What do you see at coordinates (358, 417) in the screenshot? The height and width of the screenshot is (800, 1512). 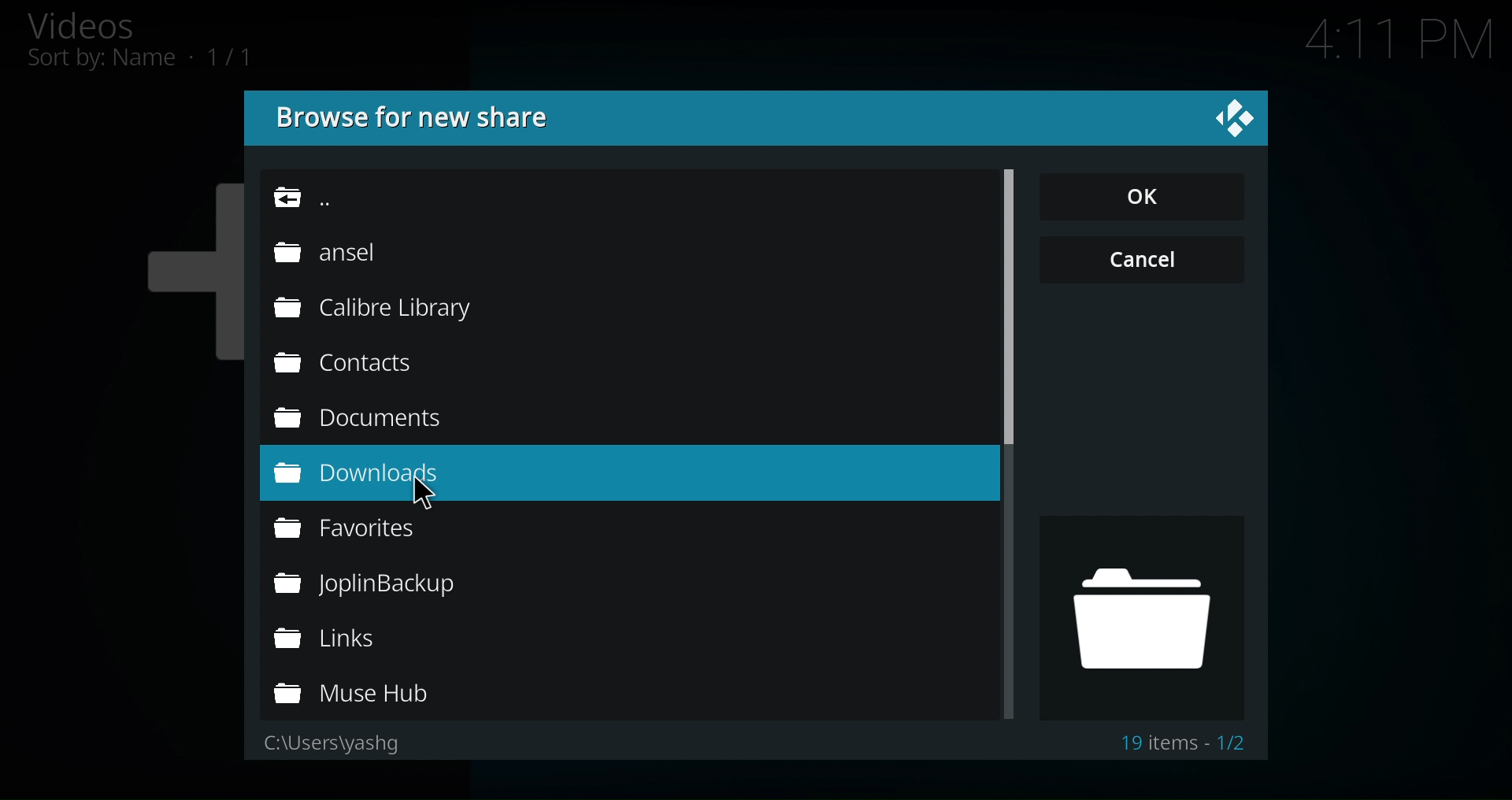 I see `Documents` at bounding box center [358, 417].